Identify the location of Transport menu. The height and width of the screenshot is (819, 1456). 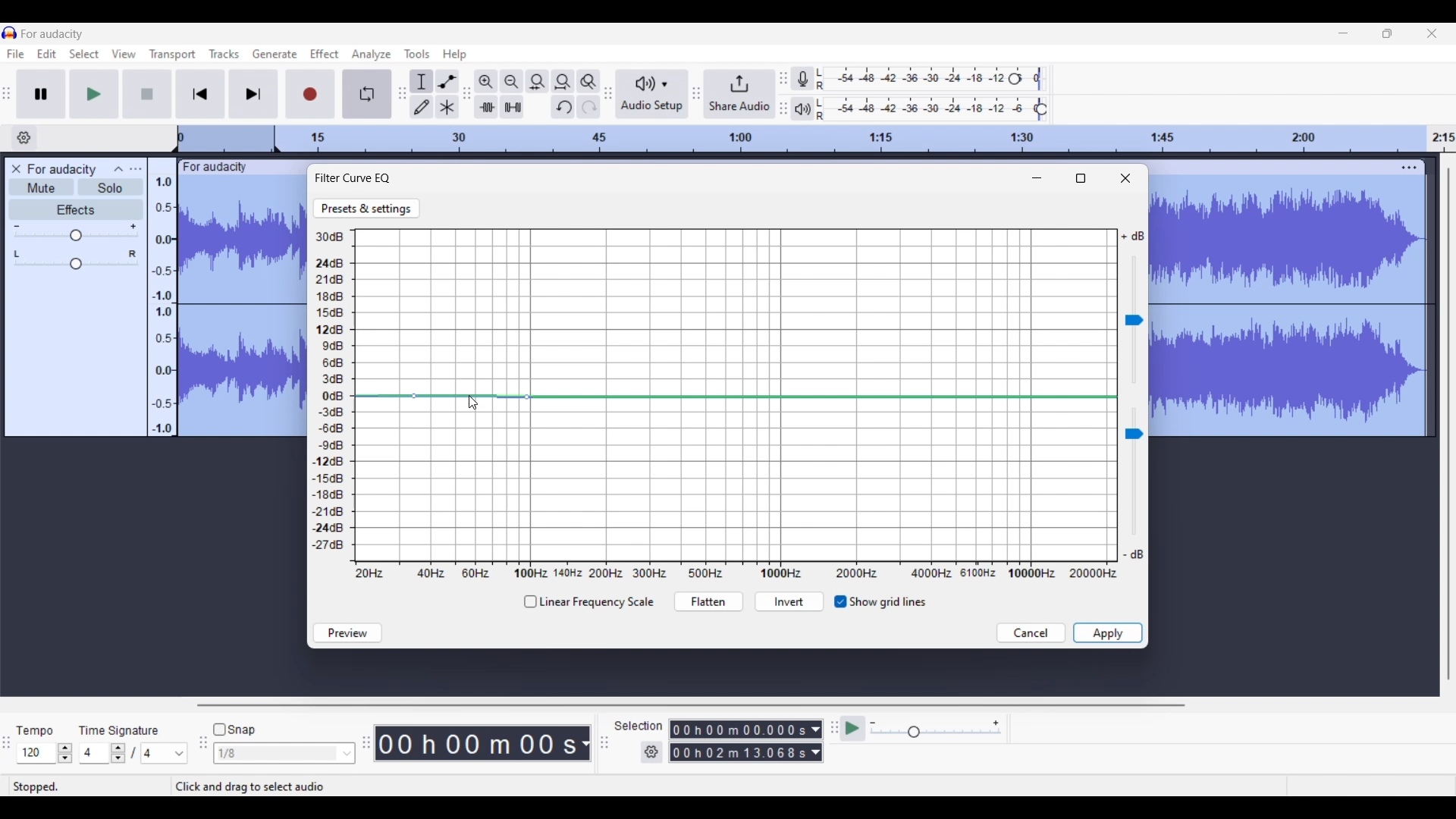
(172, 55).